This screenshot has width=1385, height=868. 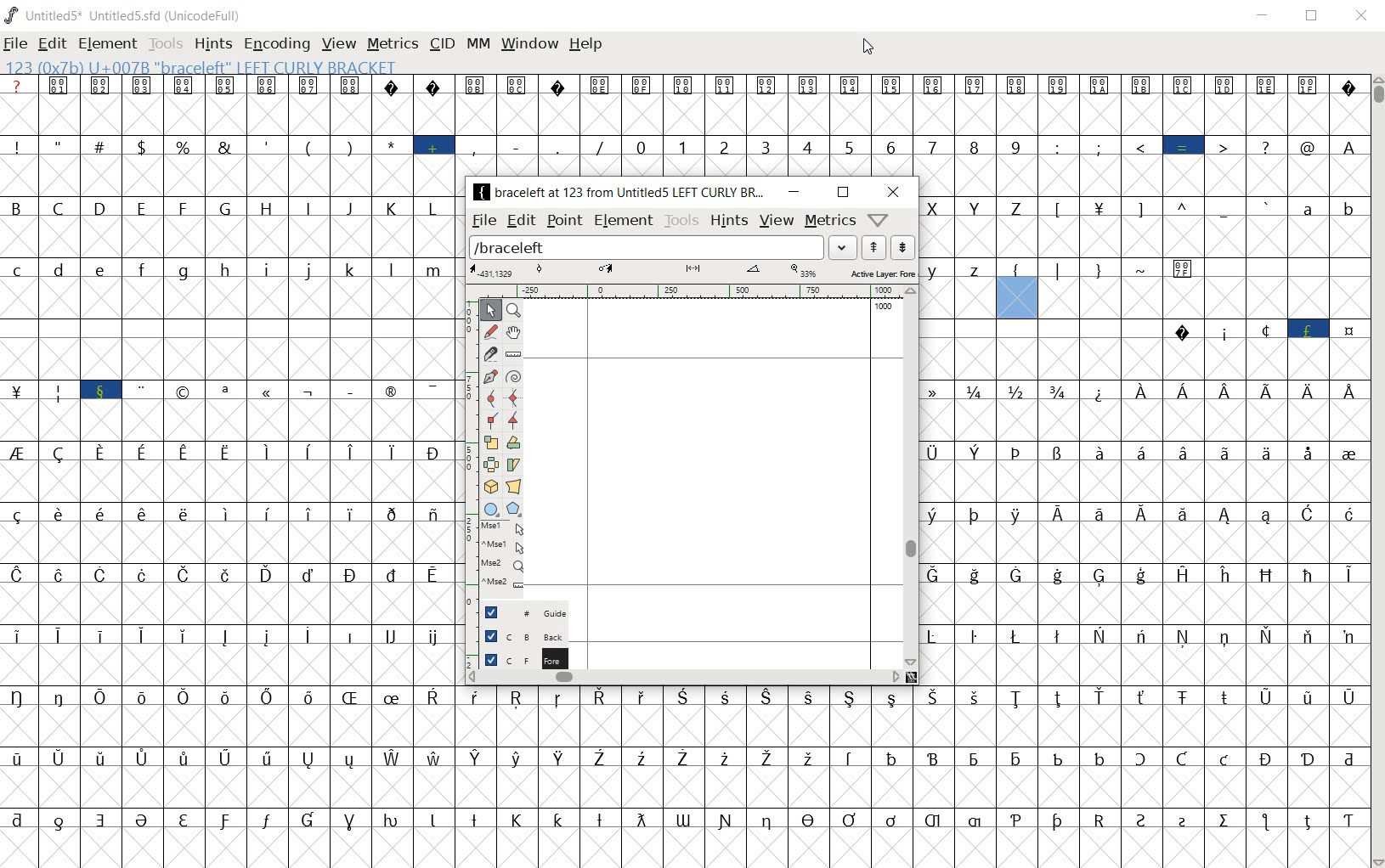 What do you see at coordinates (842, 194) in the screenshot?
I see `restore down` at bounding box center [842, 194].